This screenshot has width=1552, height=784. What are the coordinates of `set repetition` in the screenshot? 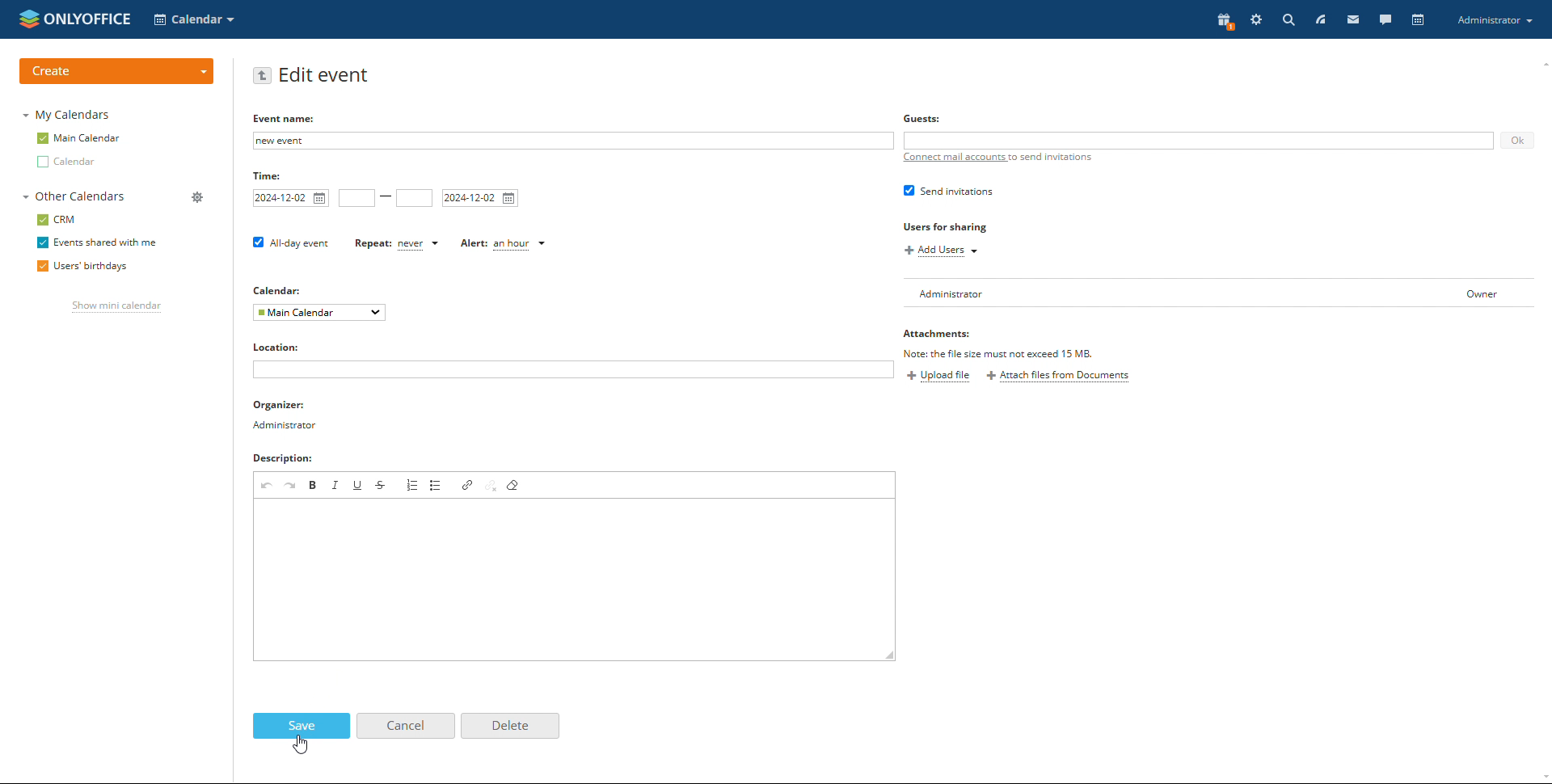 It's located at (396, 244).